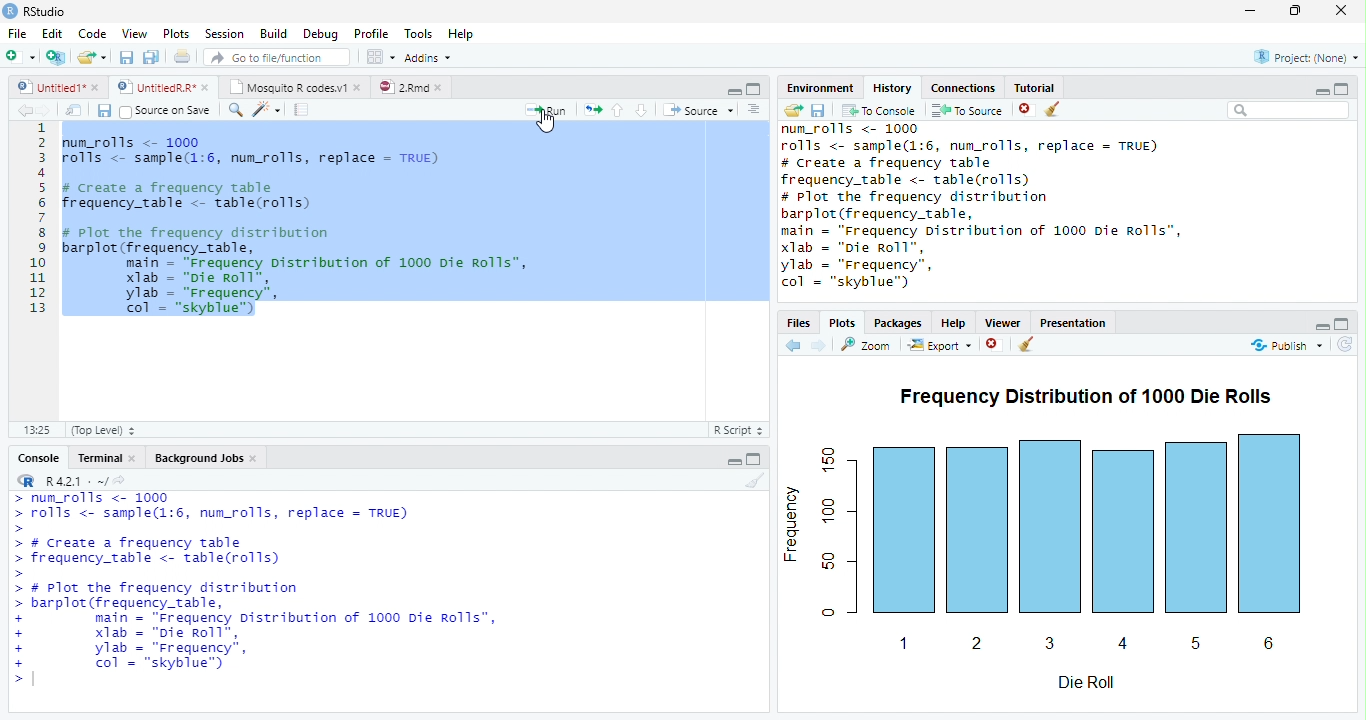  What do you see at coordinates (878, 109) in the screenshot?
I see `T0 Console` at bounding box center [878, 109].